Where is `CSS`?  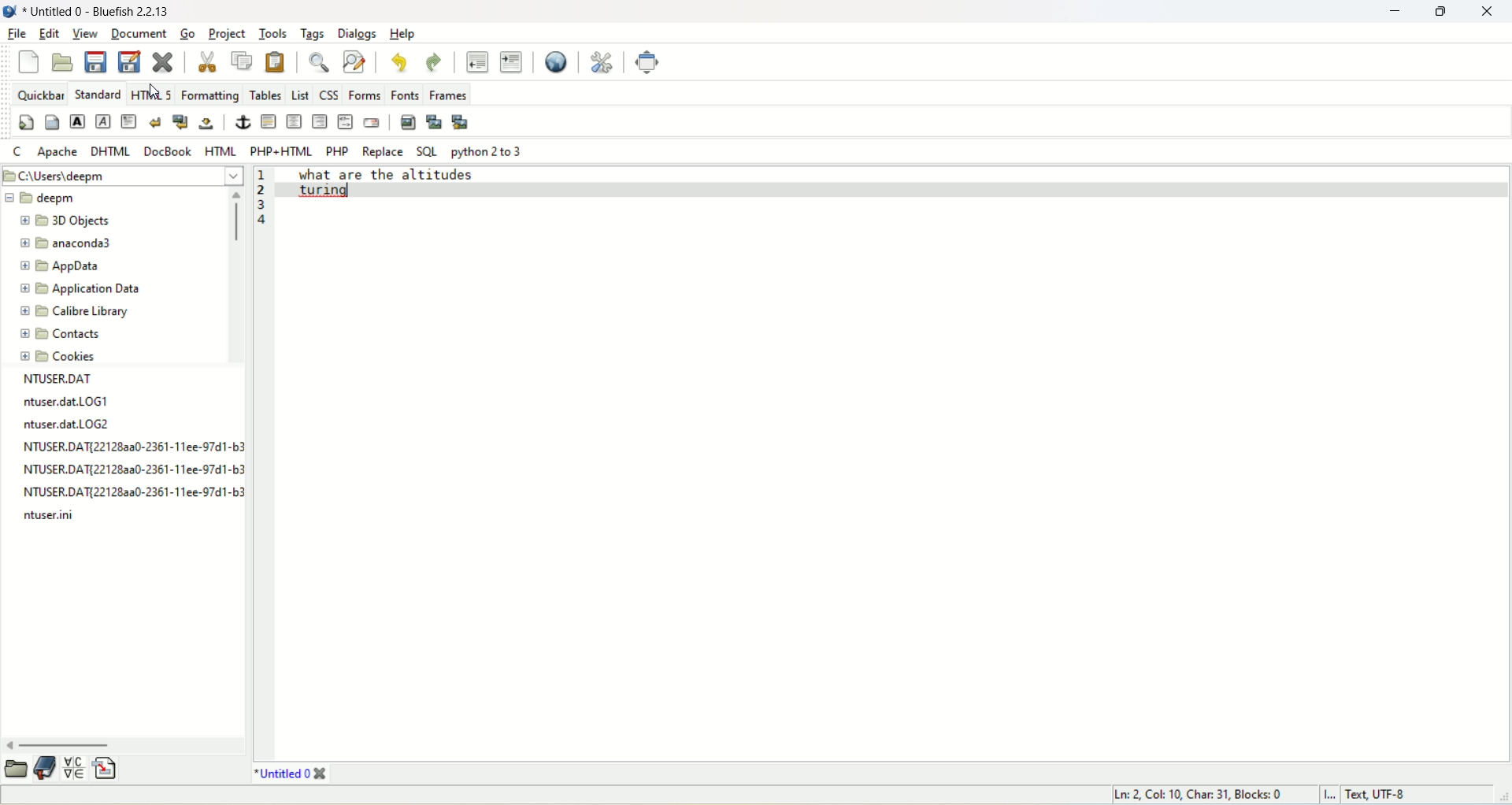
CSS is located at coordinates (328, 95).